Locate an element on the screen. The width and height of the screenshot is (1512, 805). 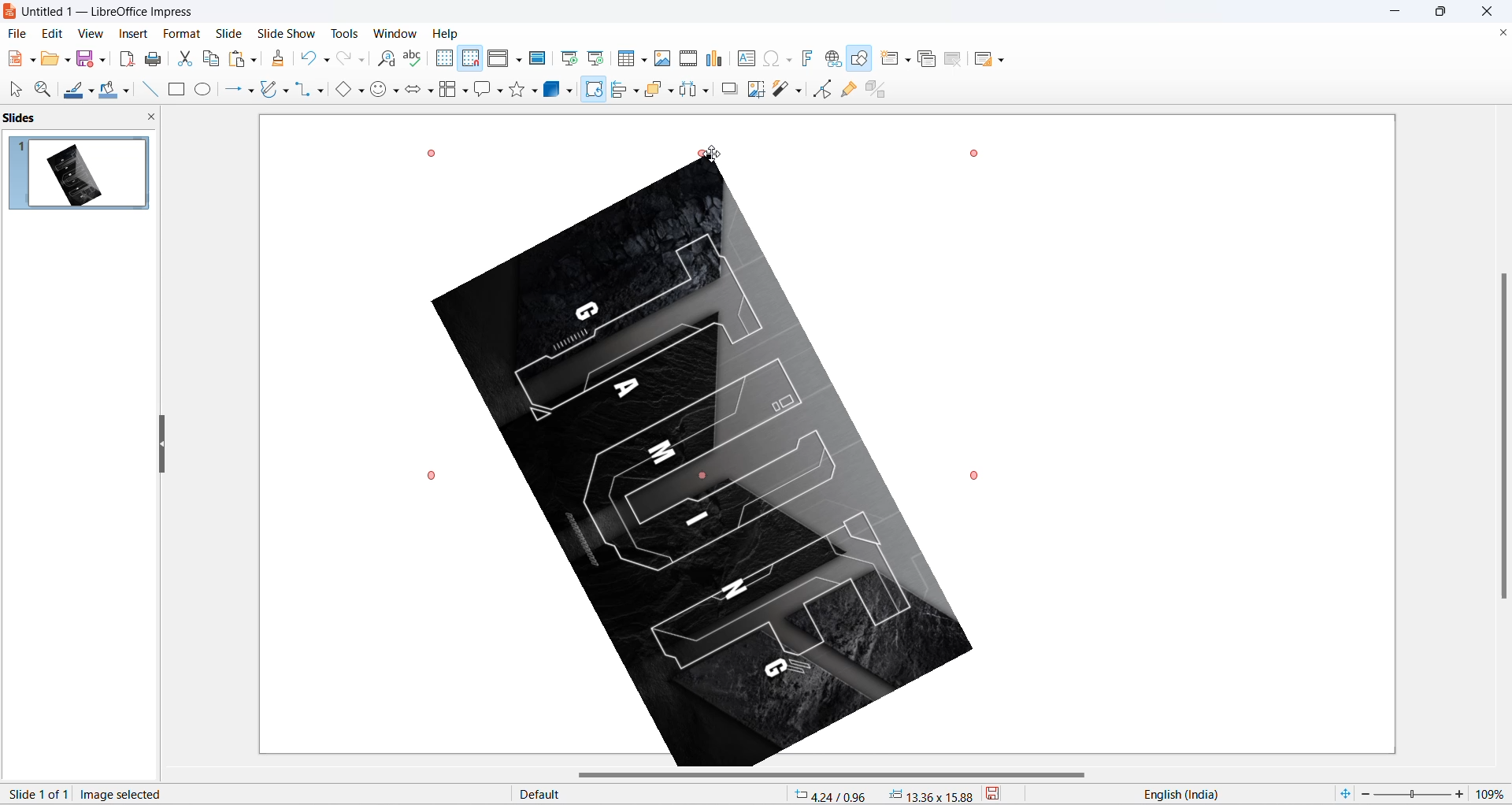
paste options is located at coordinates (253, 57).